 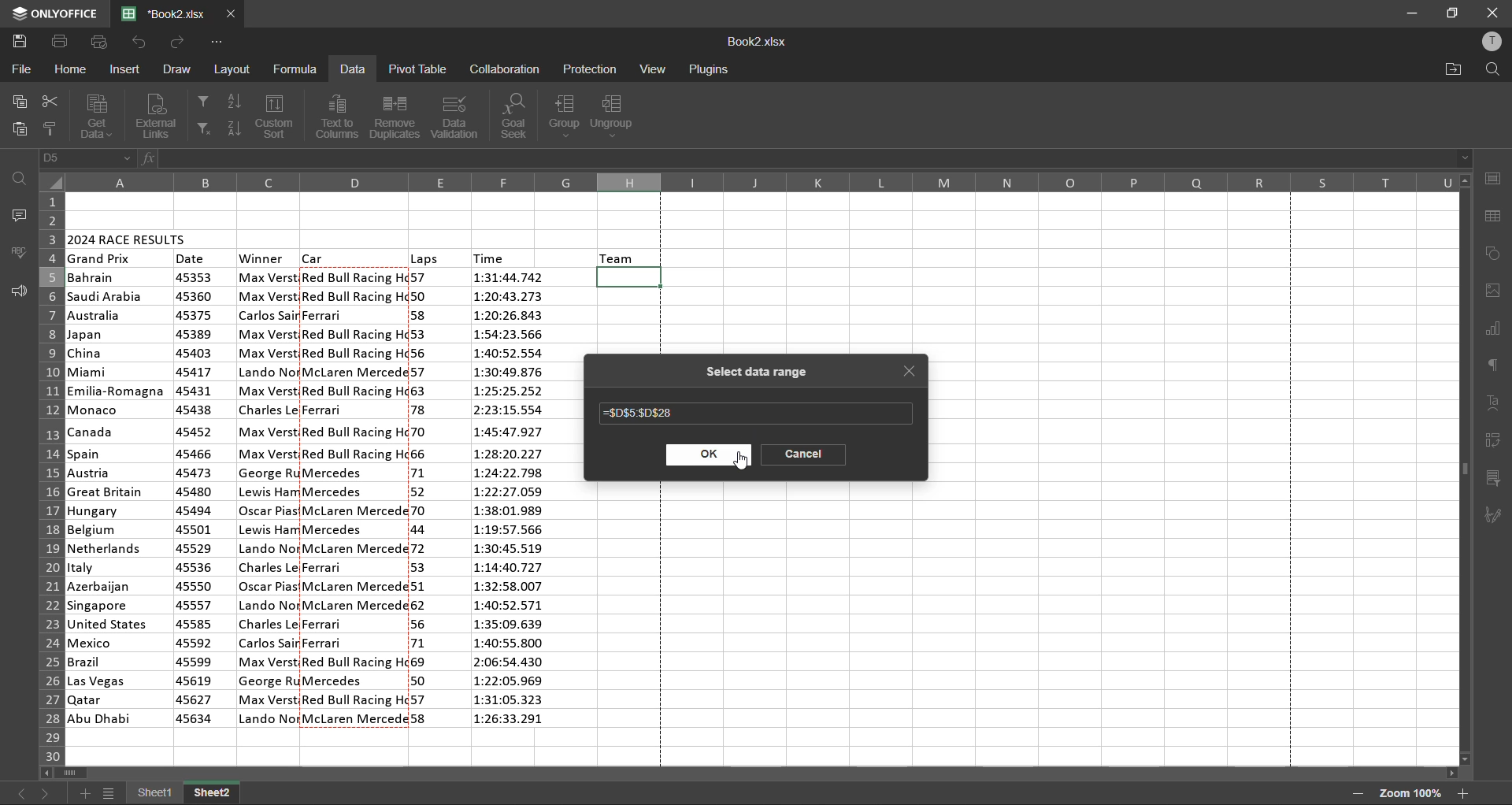 What do you see at coordinates (54, 13) in the screenshot?
I see `app name` at bounding box center [54, 13].